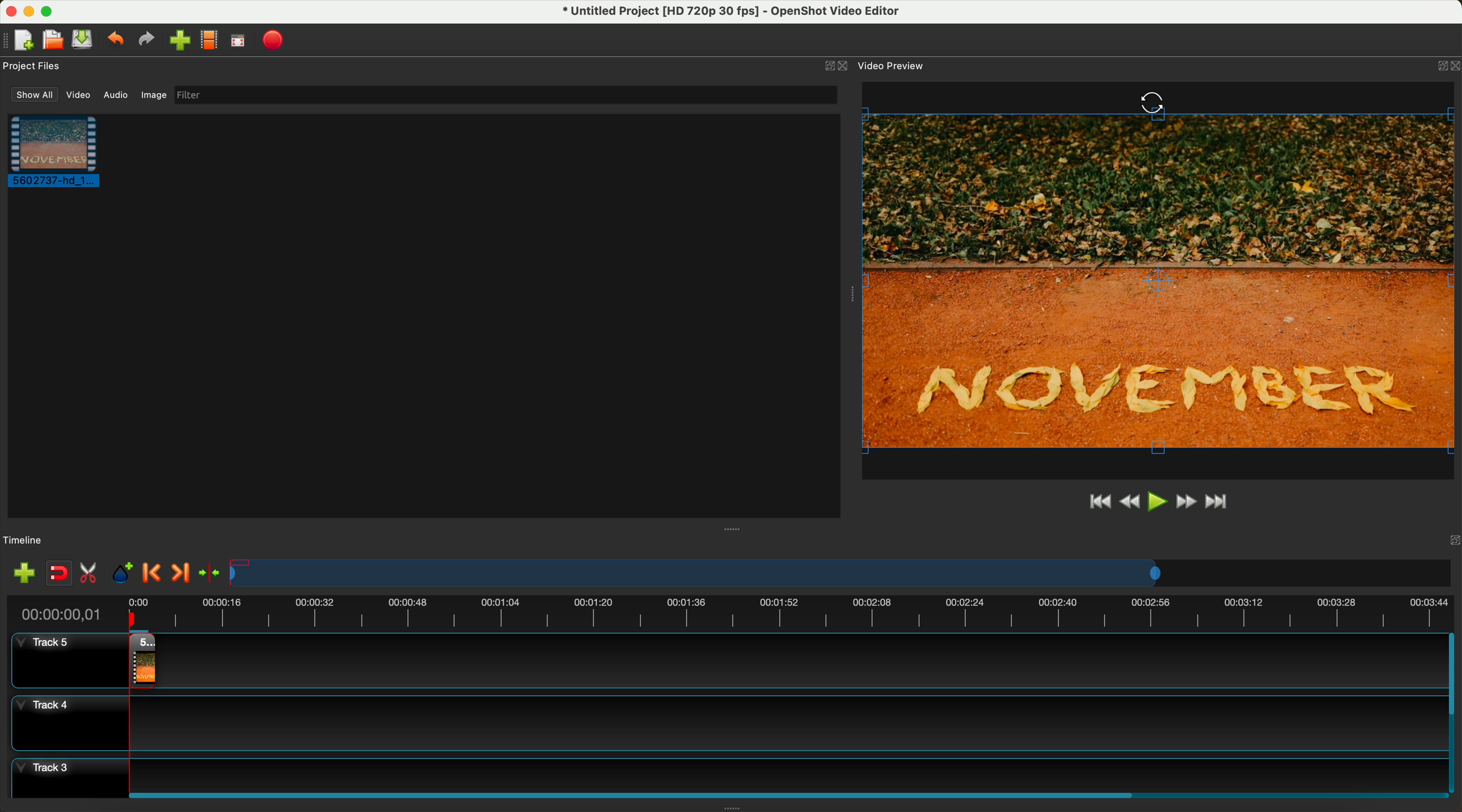 This screenshot has width=1462, height=812. Describe the element at coordinates (116, 40) in the screenshot. I see `undo` at that location.